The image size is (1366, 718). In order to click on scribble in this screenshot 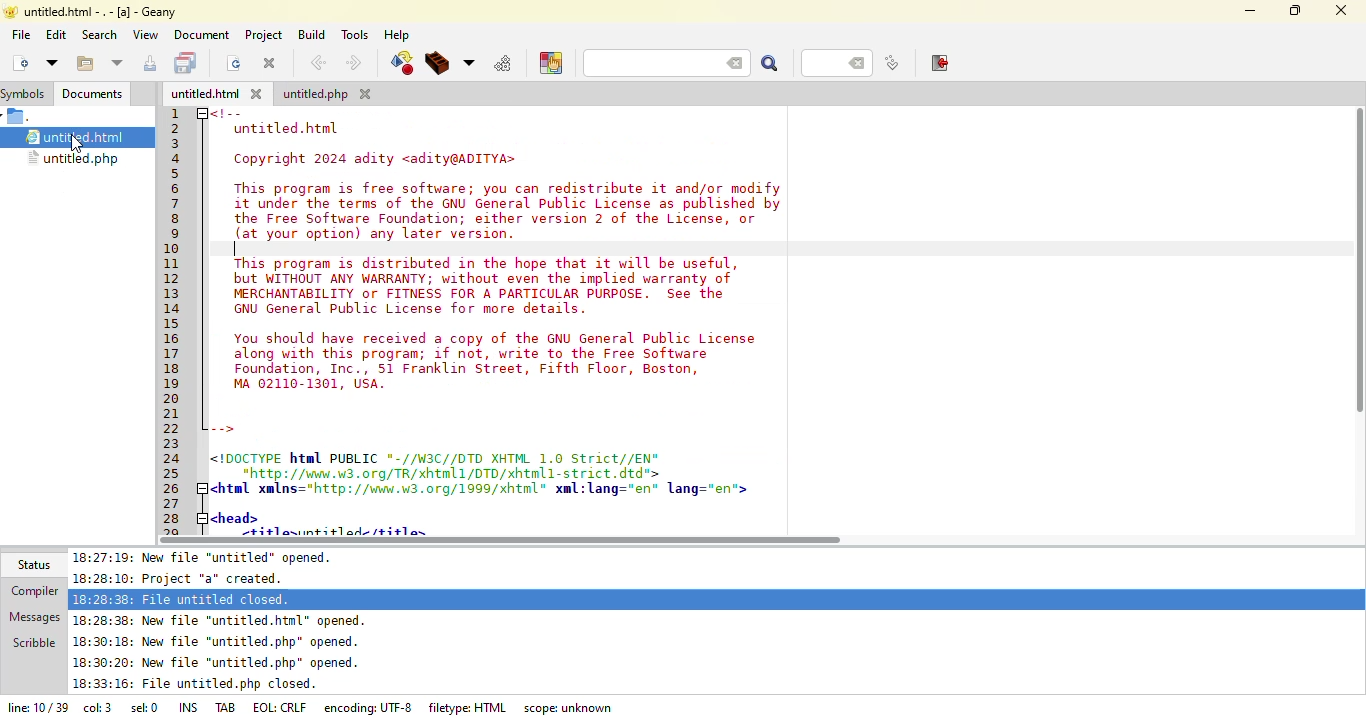, I will do `click(36, 642)`.